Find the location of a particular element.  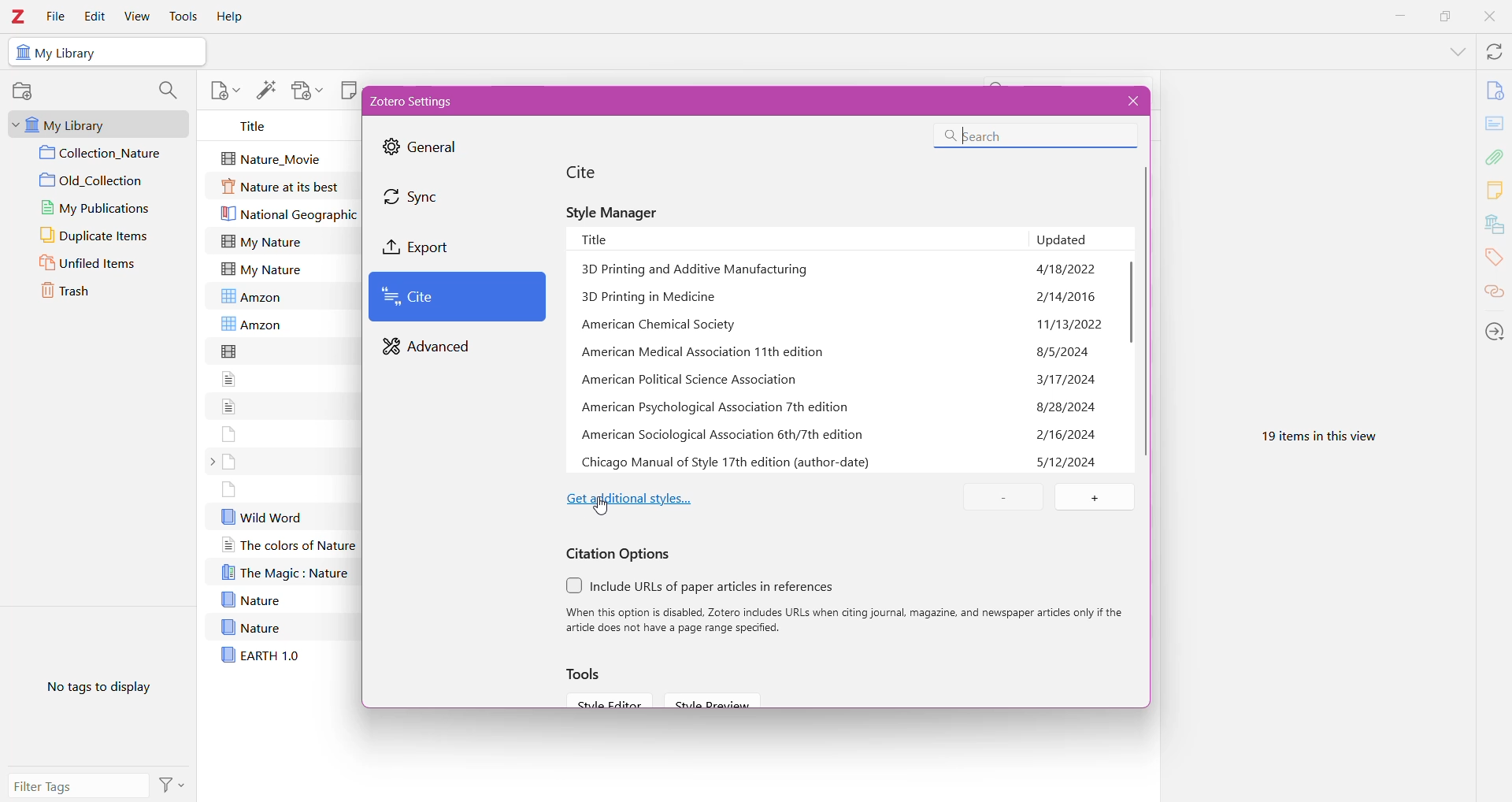

2/16/2024 is located at coordinates (1067, 435).